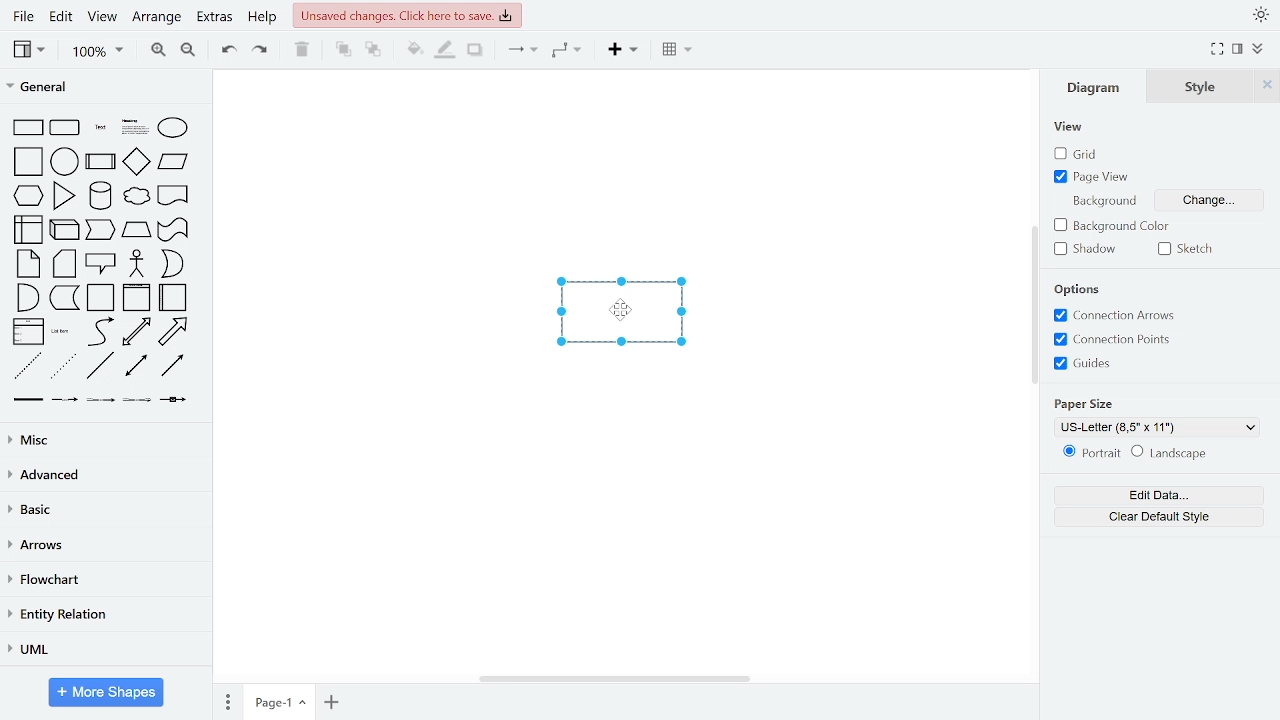 The width and height of the screenshot is (1280, 720). Describe the element at coordinates (134, 229) in the screenshot. I see `general shapes` at that location.